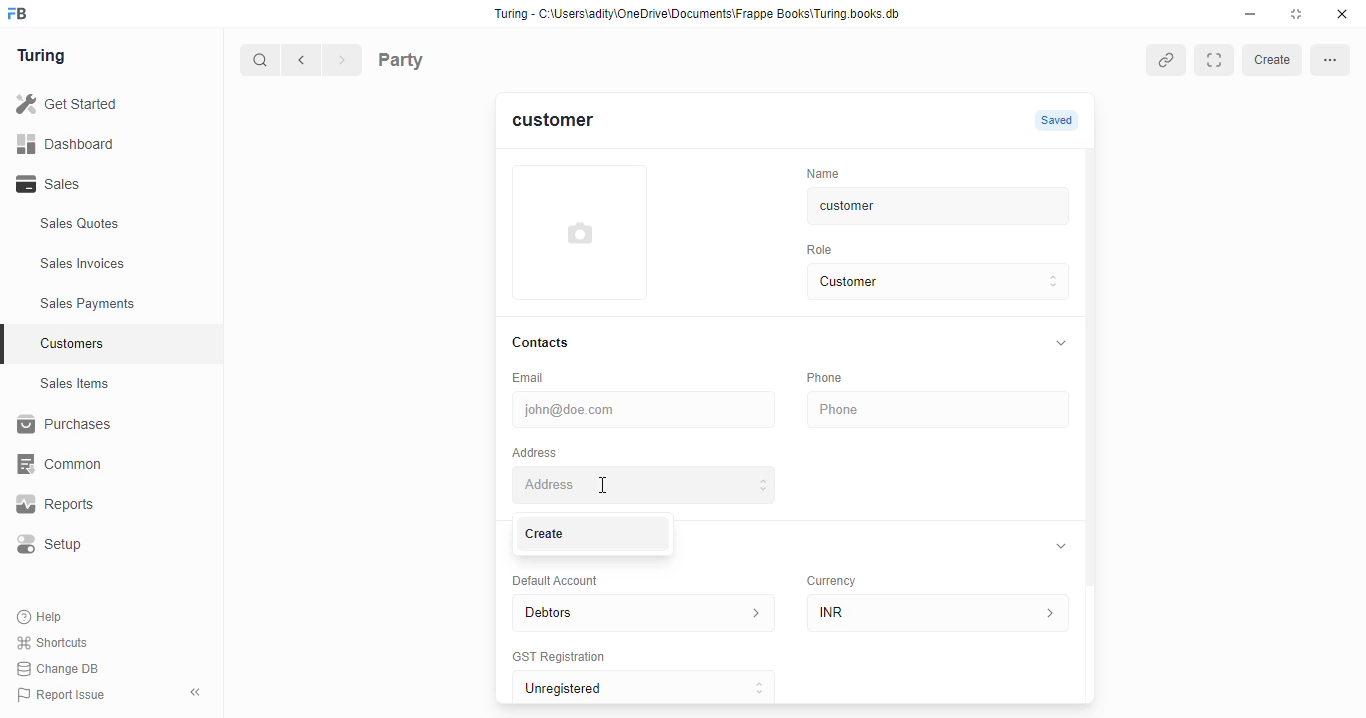  What do you see at coordinates (1061, 544) in the screenshot?
I see `collapse` at bounding box center [1061, 544].